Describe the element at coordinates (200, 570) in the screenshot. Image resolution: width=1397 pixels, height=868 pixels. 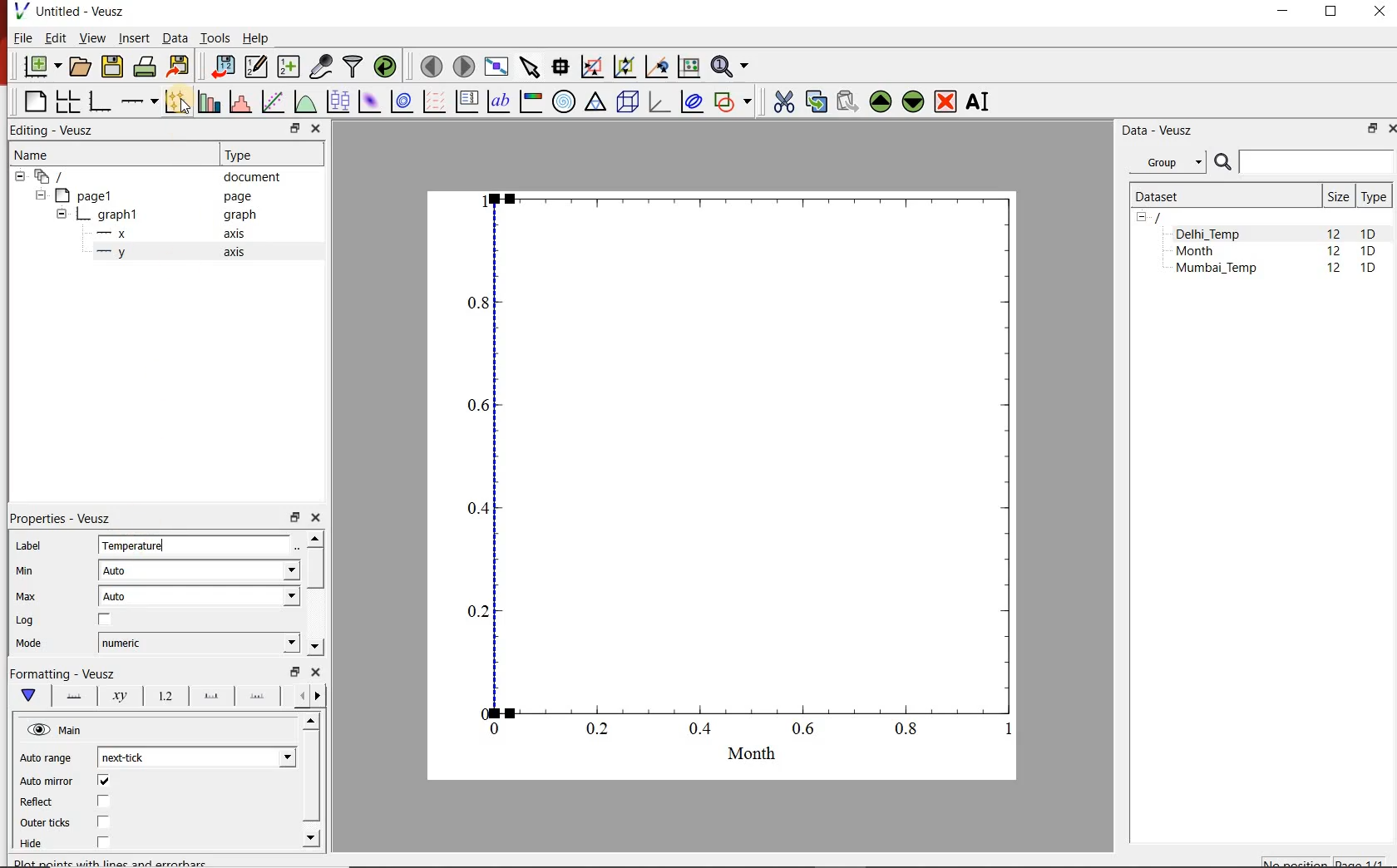
I see `Auto` at that location.